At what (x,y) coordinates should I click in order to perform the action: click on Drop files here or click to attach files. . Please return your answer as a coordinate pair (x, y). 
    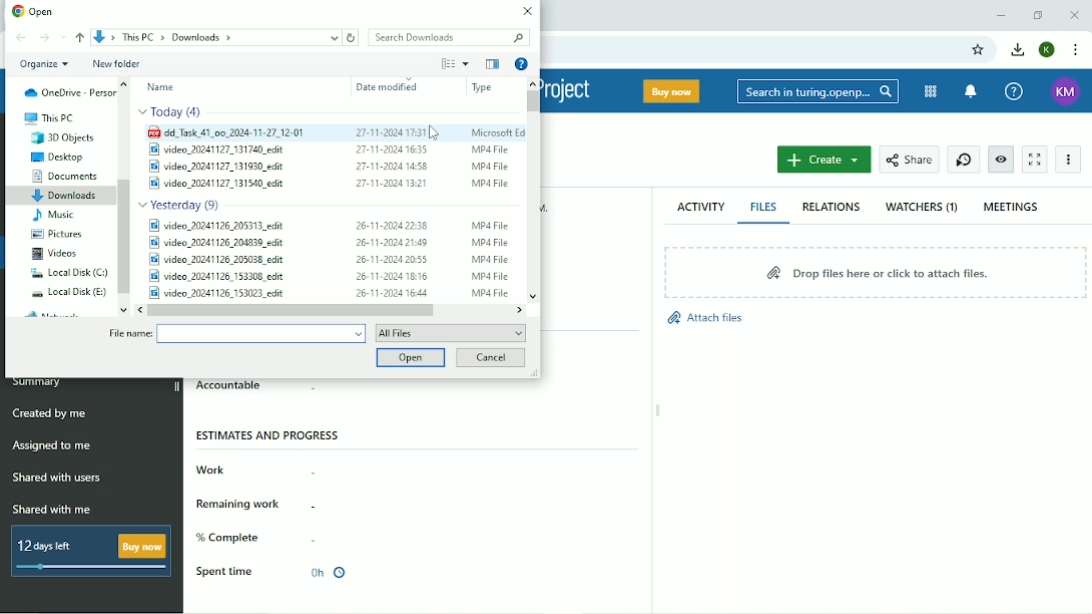
    Looking at the image, I should click on (875, 272).